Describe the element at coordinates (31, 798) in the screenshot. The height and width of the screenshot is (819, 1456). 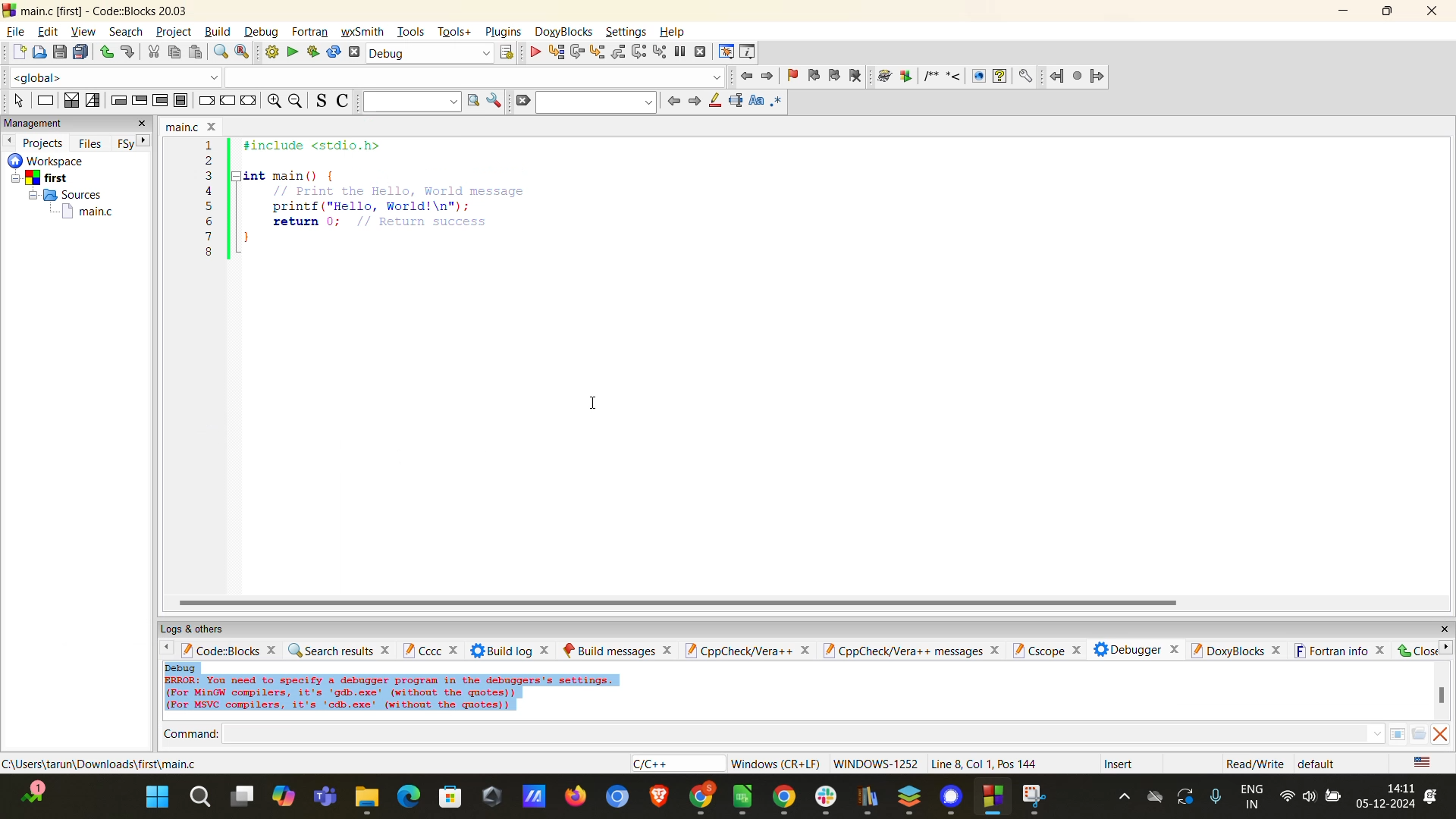
I see `edge` at that location.